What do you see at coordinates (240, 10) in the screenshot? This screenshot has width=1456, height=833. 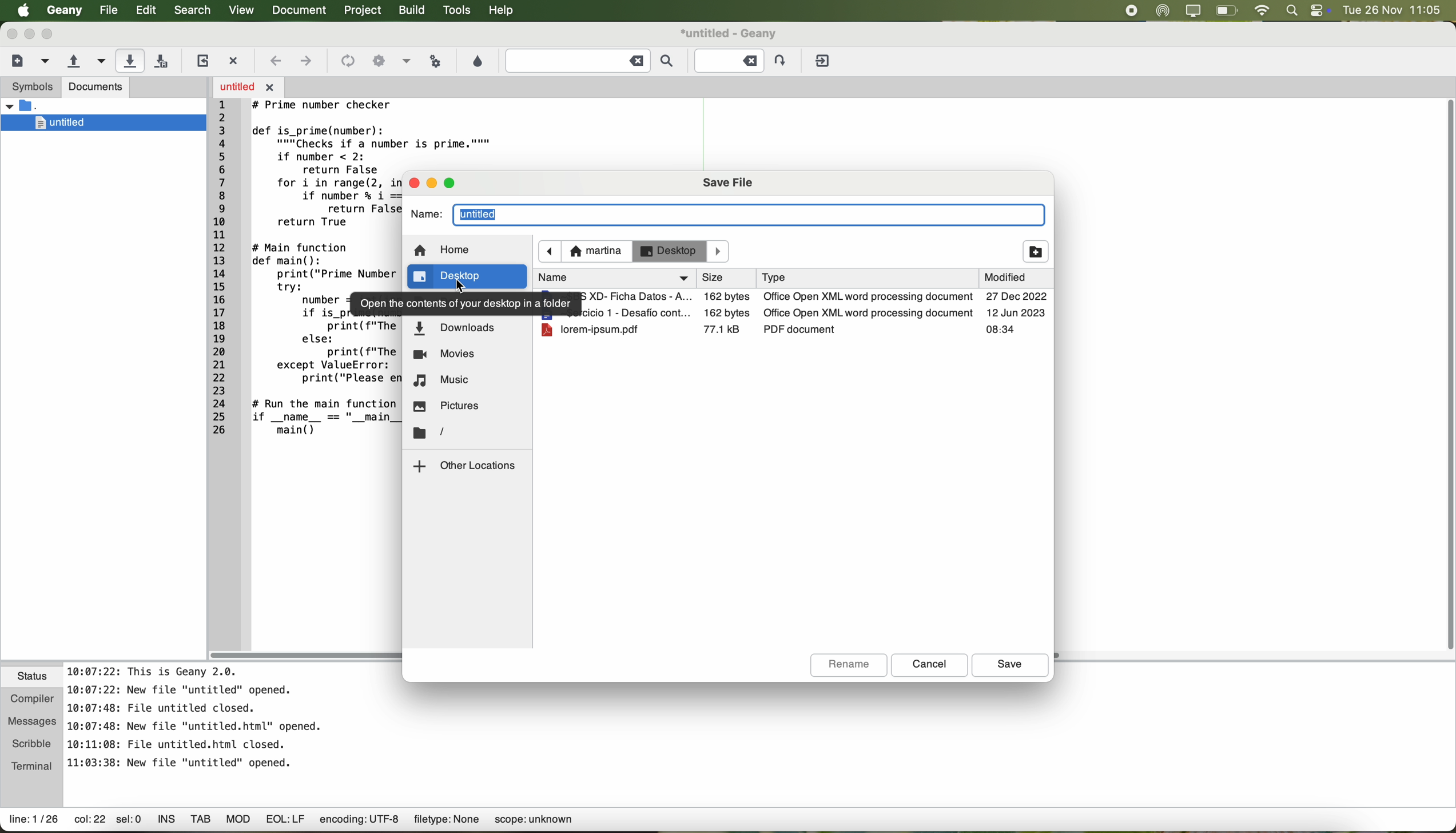 I see `view` at bounding box center [240, 10].